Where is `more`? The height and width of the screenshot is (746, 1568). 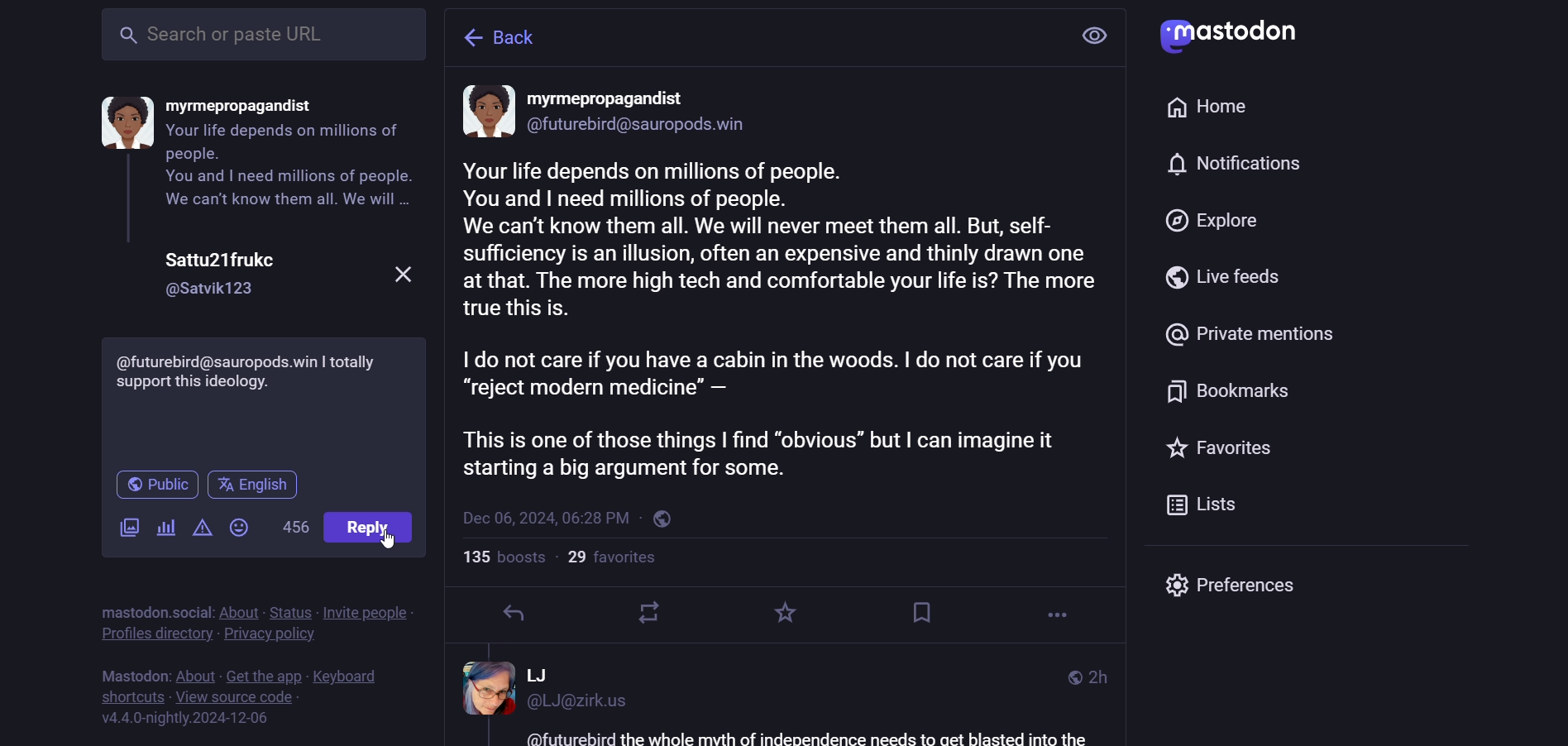
more is located at coordinates (1054, 615).